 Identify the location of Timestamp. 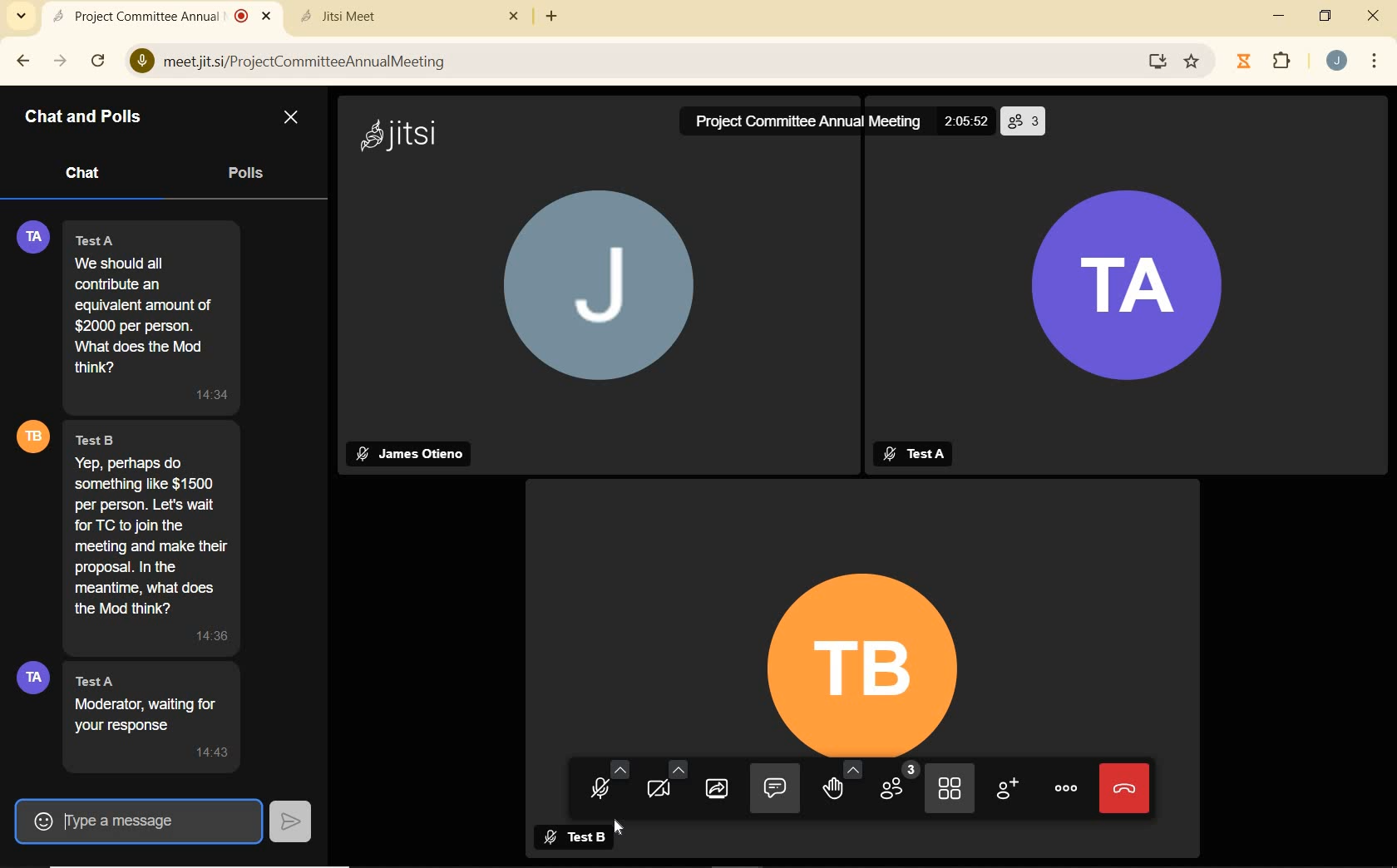
(216, 752).